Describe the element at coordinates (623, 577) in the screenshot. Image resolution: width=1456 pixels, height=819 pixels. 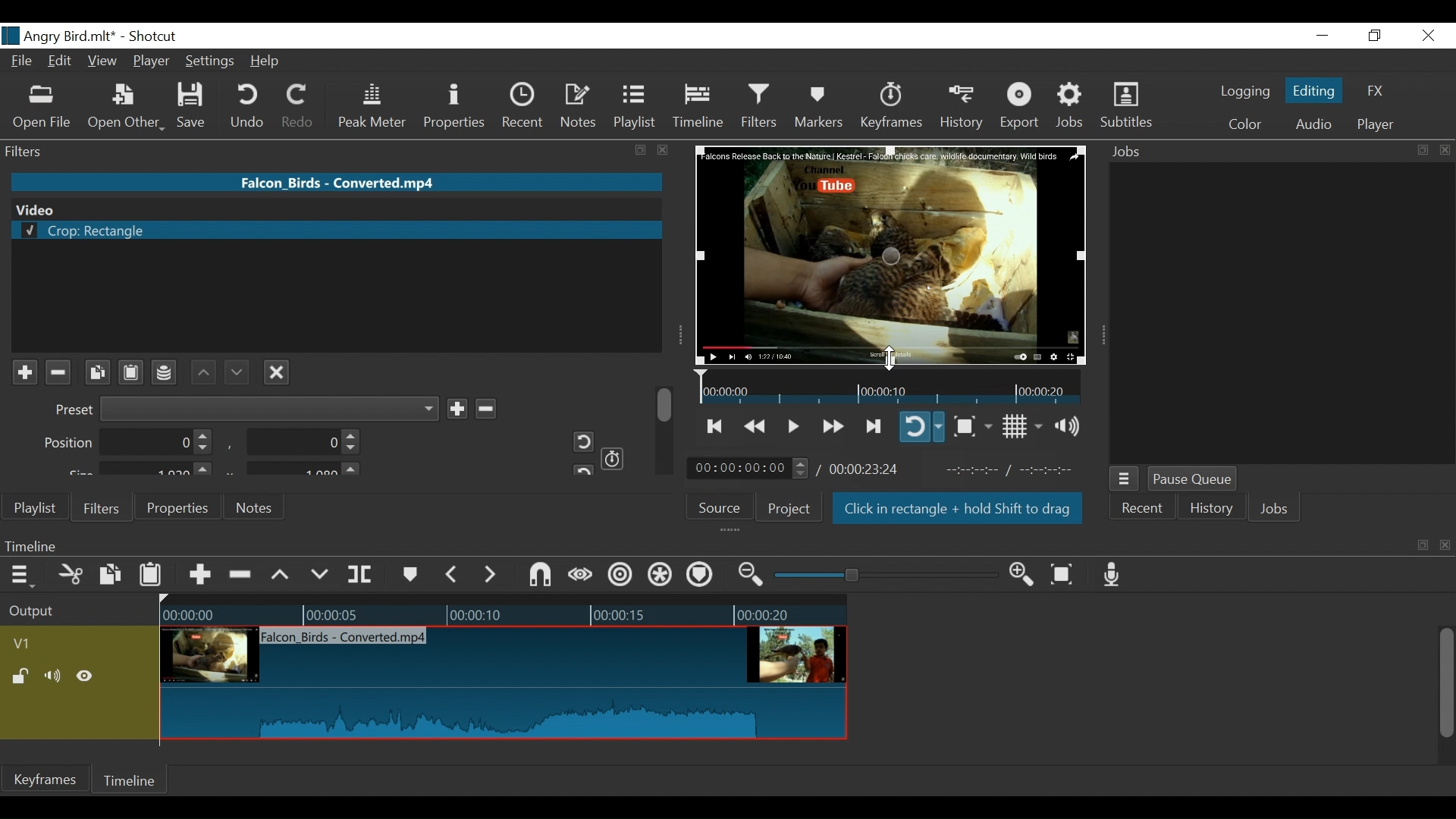
I see `Ripple` at that location.